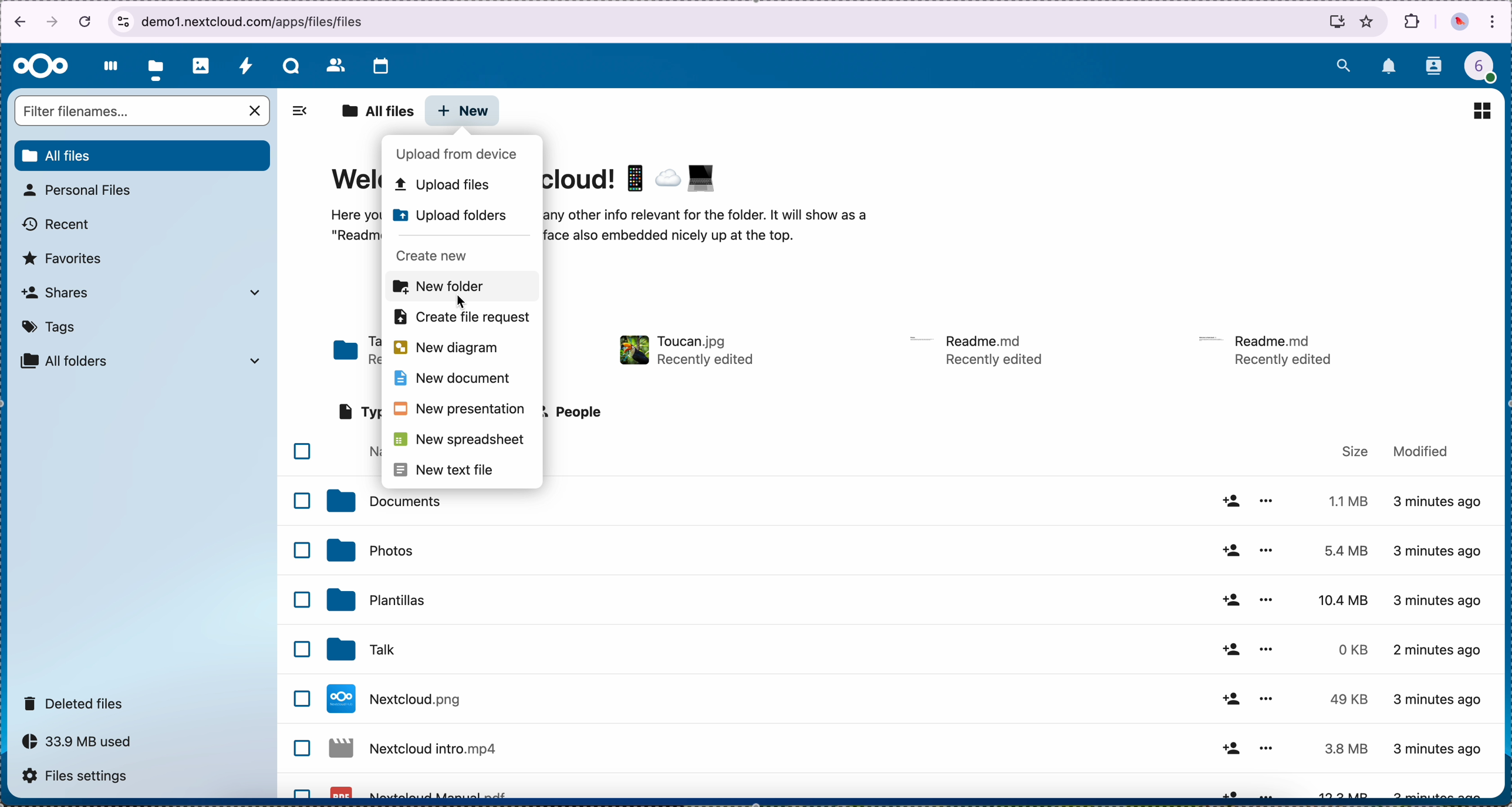  What do you see at coordinates (1343, 63) in the screenshot?
I see `search` at bounding box center [1343, 63].